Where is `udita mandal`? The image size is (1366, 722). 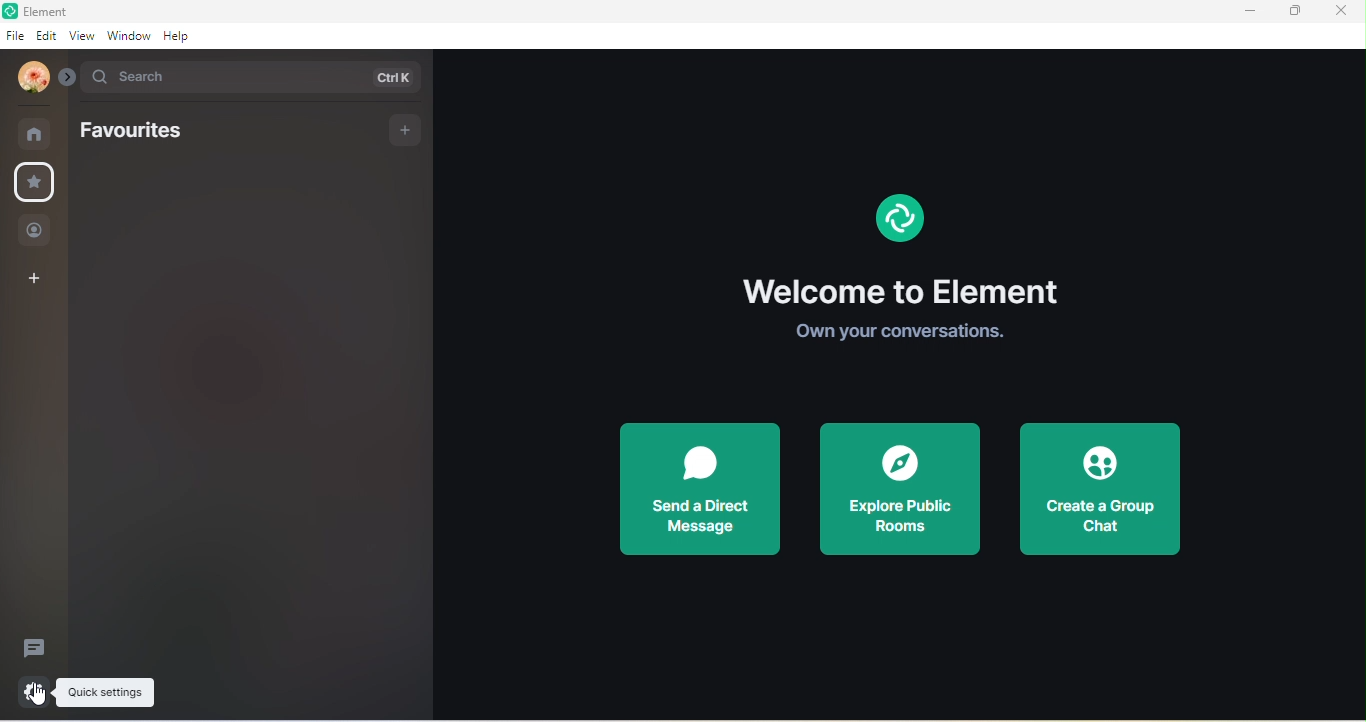
udita mandal is located at coordinates (29, 78).